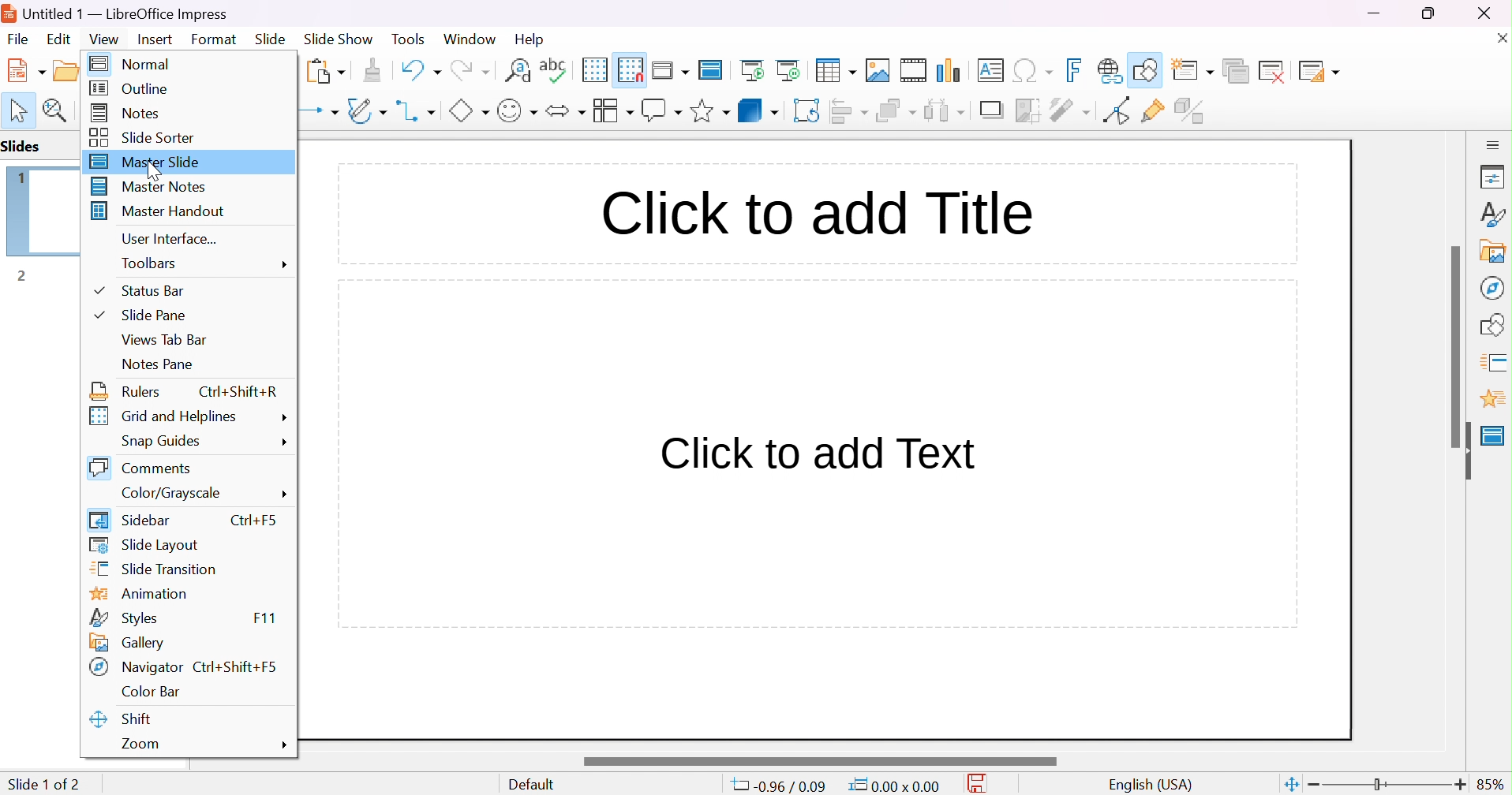 The image size is (1512, 795). What do you see at coordinates (326, 69) in the screenshot?
I see `paste` at bounding box center [326, 69].